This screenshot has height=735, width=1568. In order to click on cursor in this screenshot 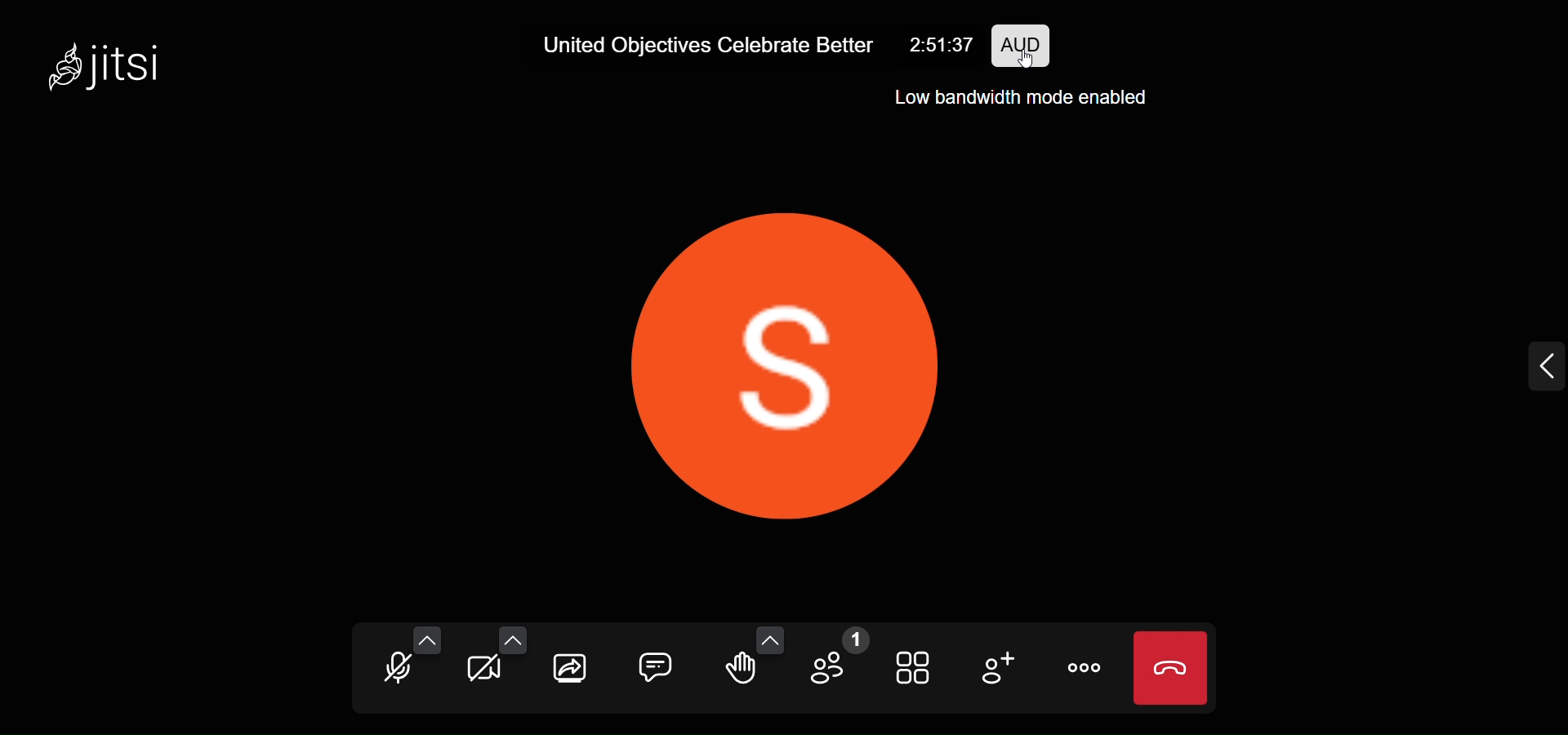, I will do `click(1031, 66)`.